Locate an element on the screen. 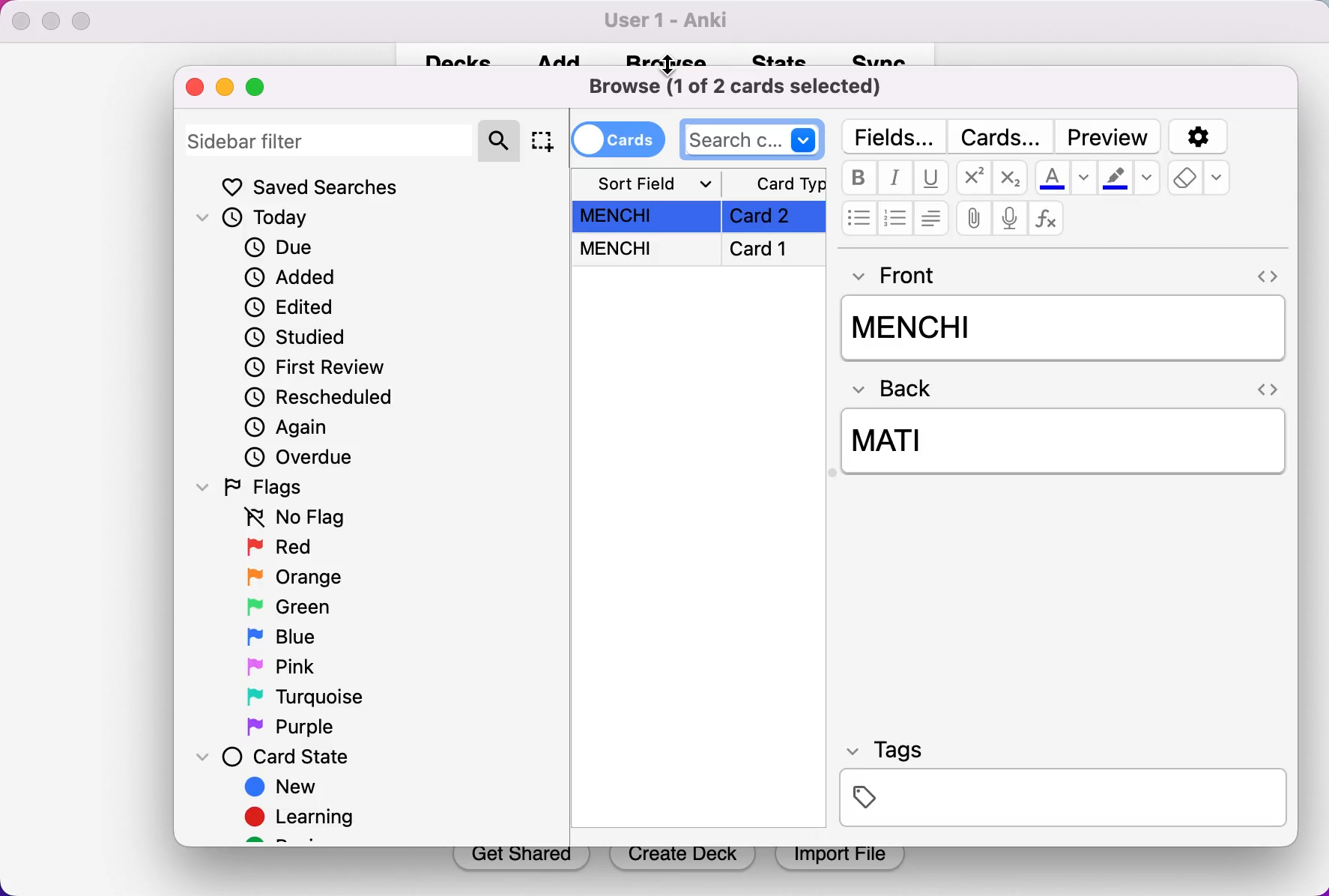 This screenshot has height=896, width=1329. record audio is located at coordinates (1009, 218).